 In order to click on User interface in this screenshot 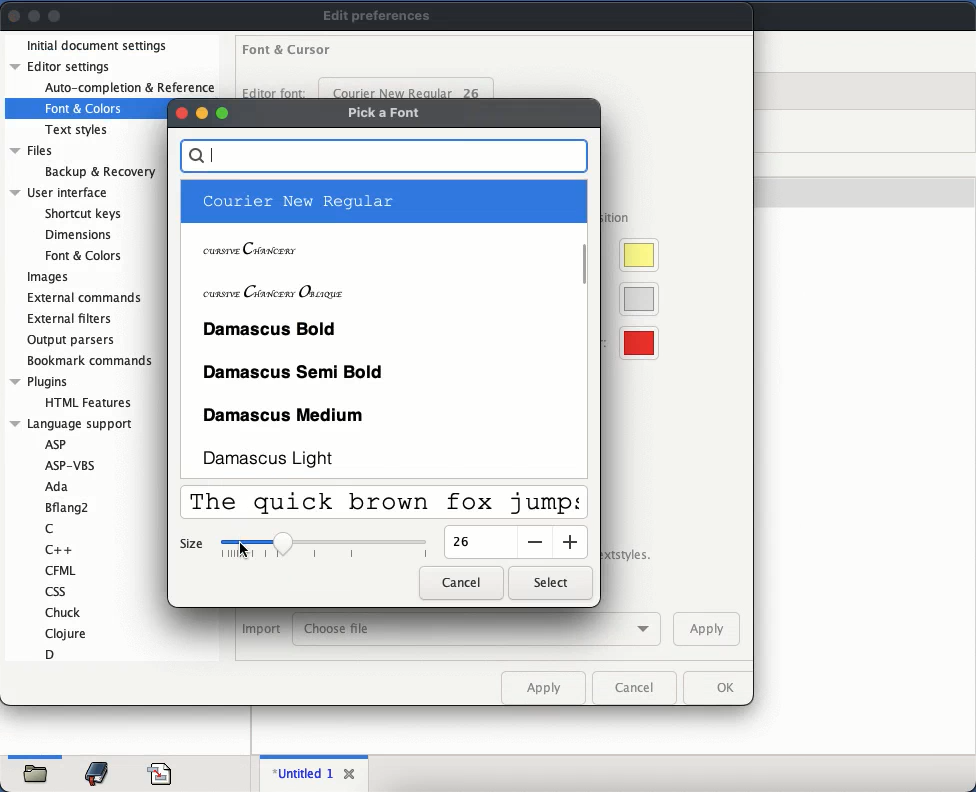, I will do `click(58, 191)`.